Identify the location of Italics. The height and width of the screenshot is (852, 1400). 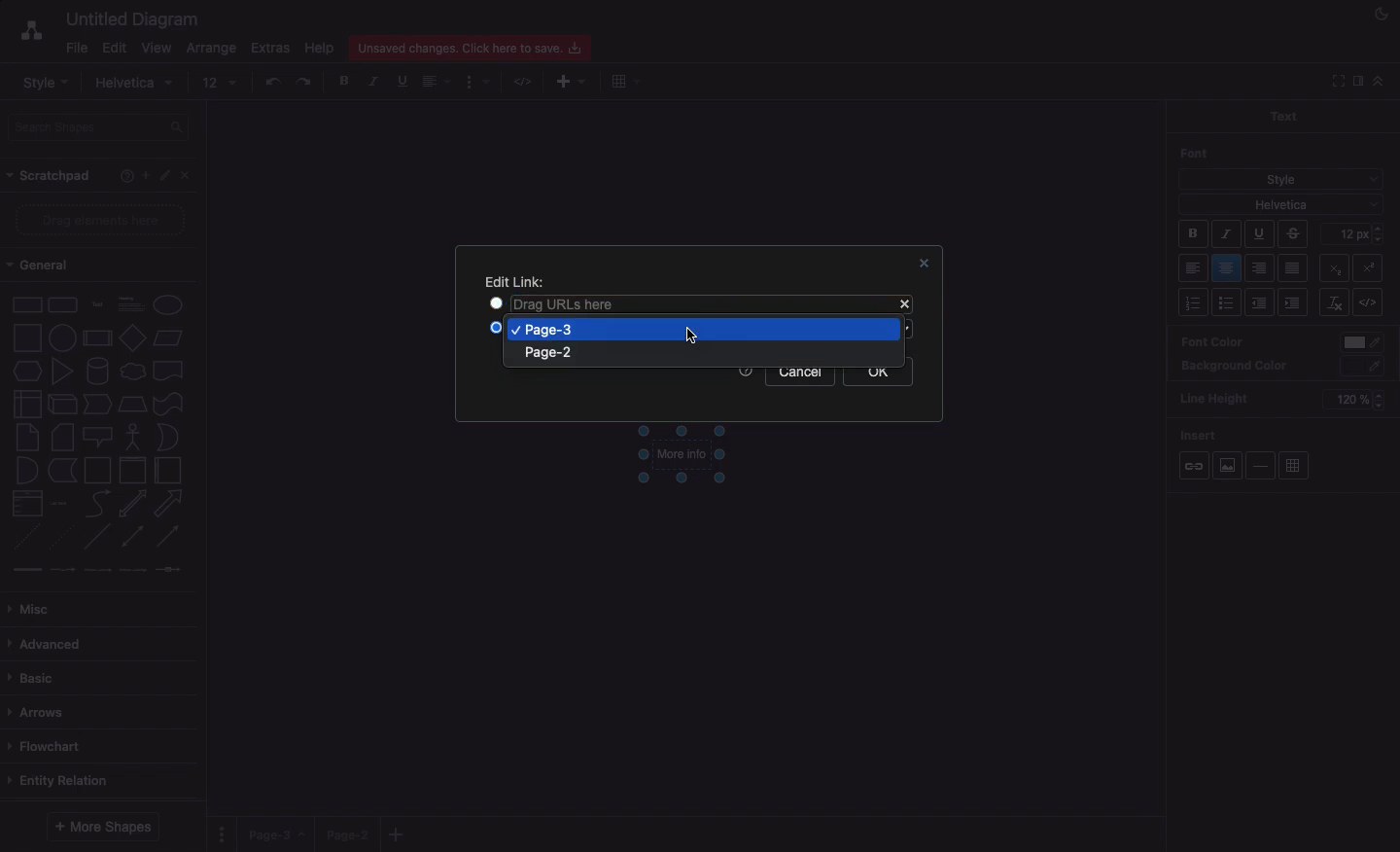
(374, 81).